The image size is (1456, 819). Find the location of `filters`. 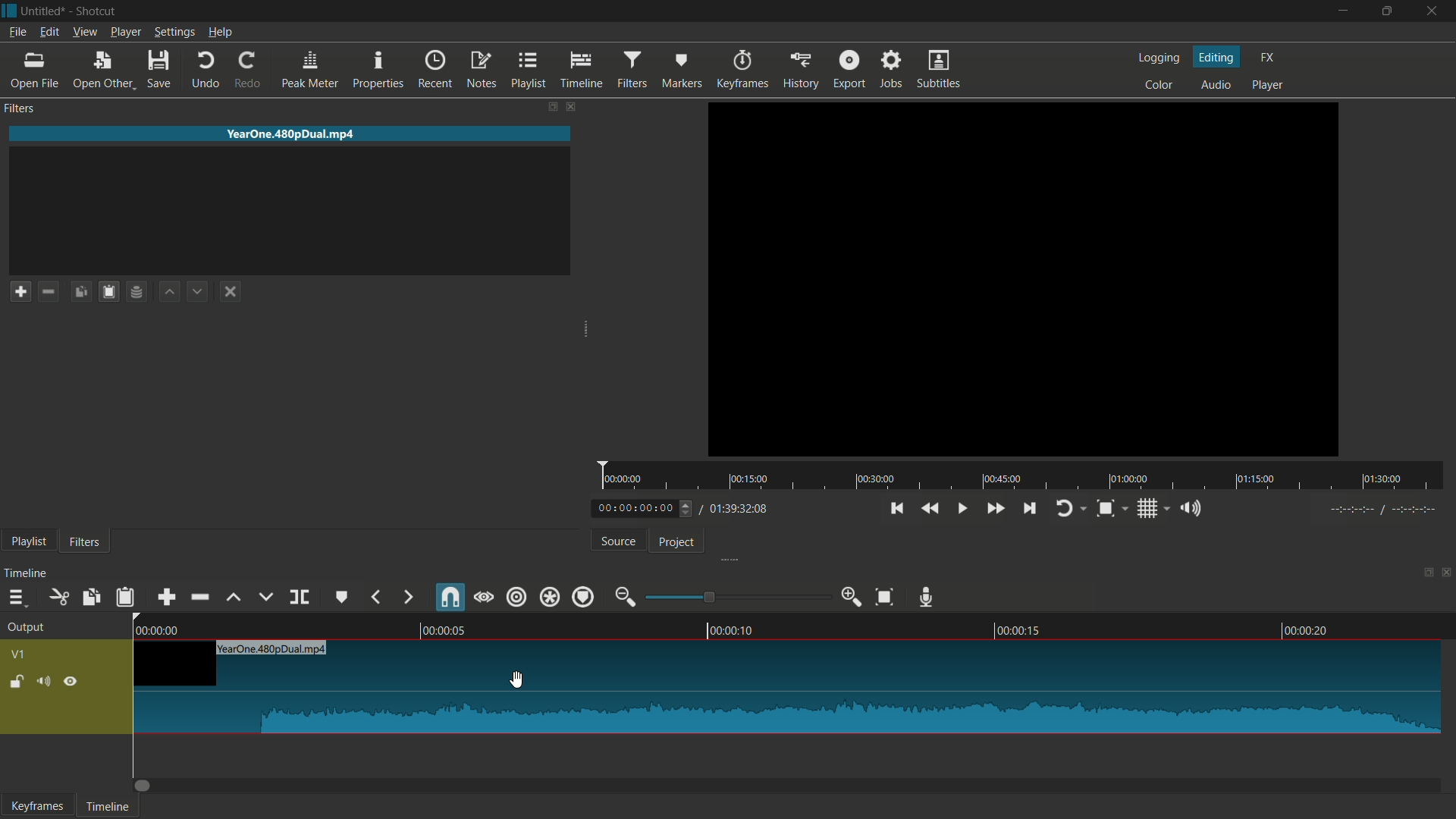

filters is located at coordinates (86, 541).